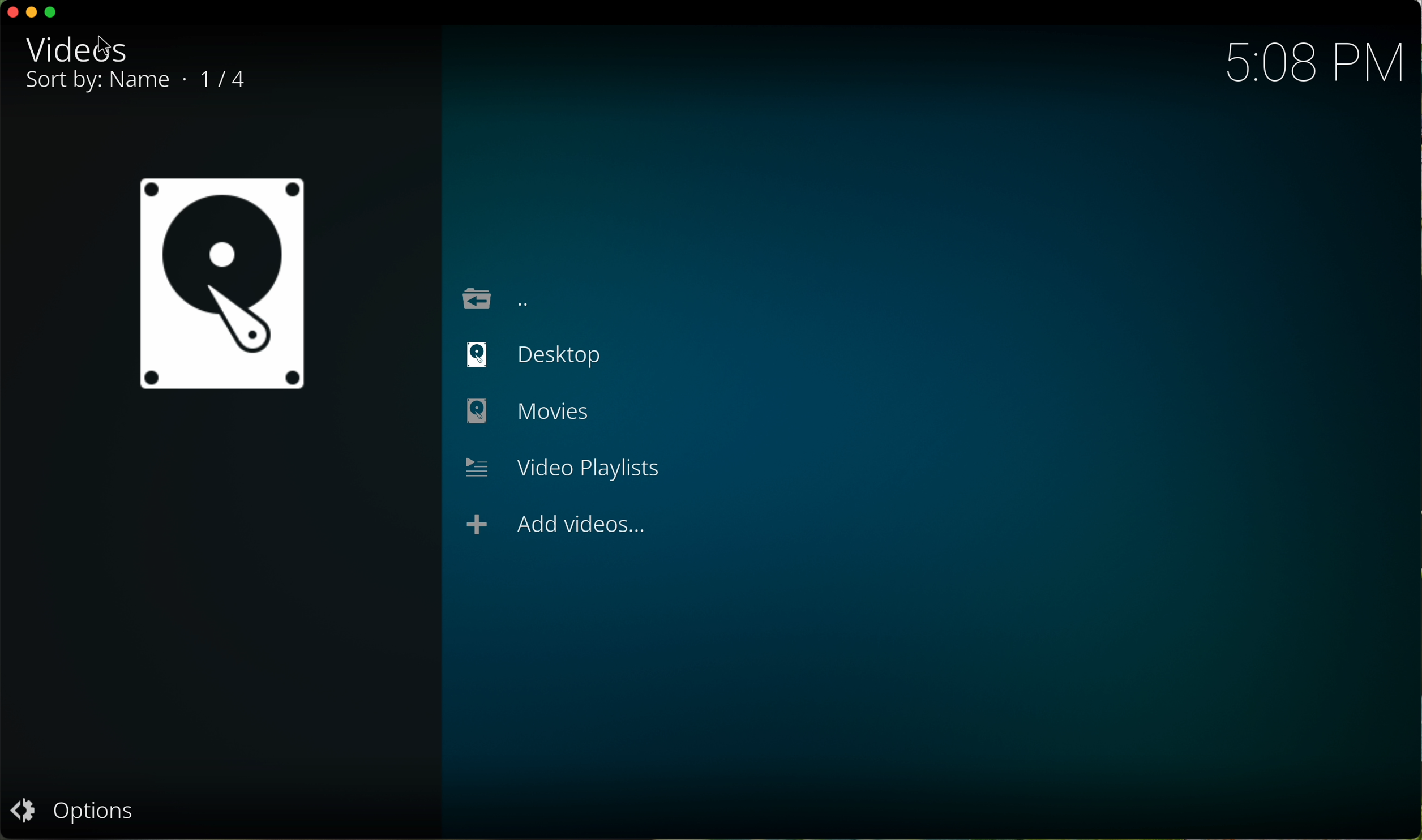 This screenshot has height=840, width=1422. What do you see at coordinates (569, 469) in the screenshot?
I see `video playlists` at bounding box center [569, 469].